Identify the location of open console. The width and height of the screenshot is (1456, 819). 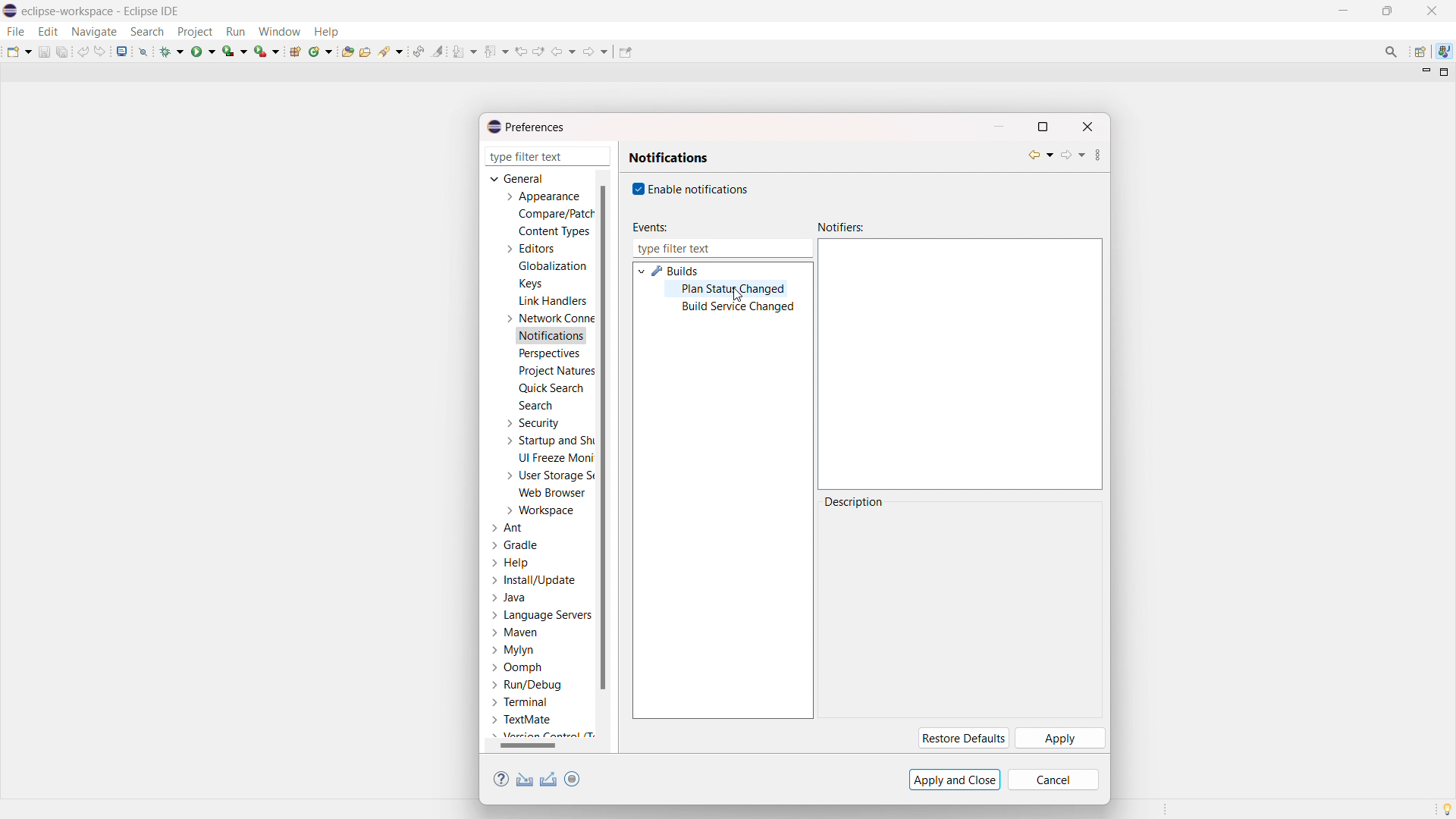
(121, 52).